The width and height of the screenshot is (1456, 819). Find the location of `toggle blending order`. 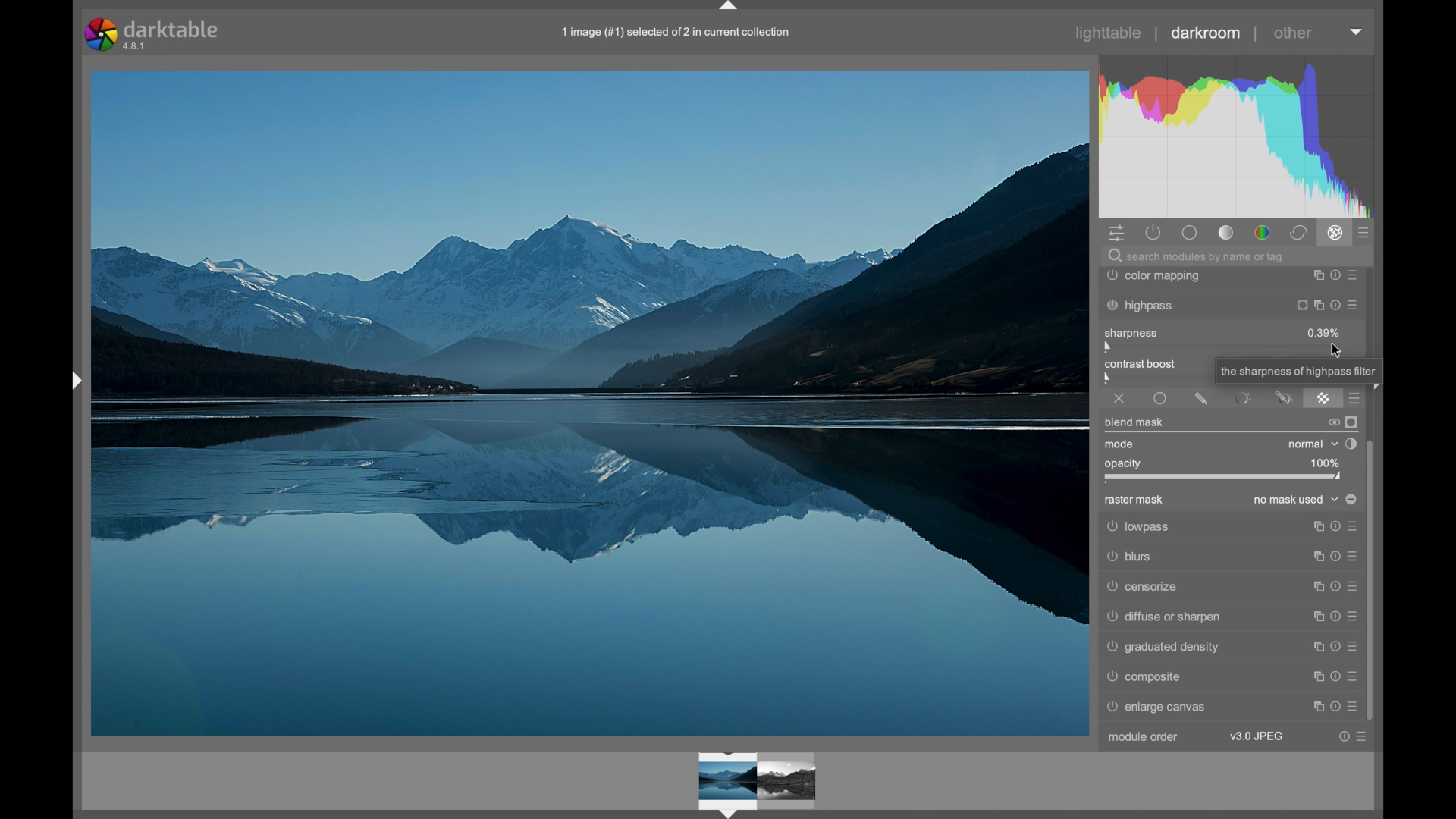

toggle blending order is located at coordinates (1351, 444).